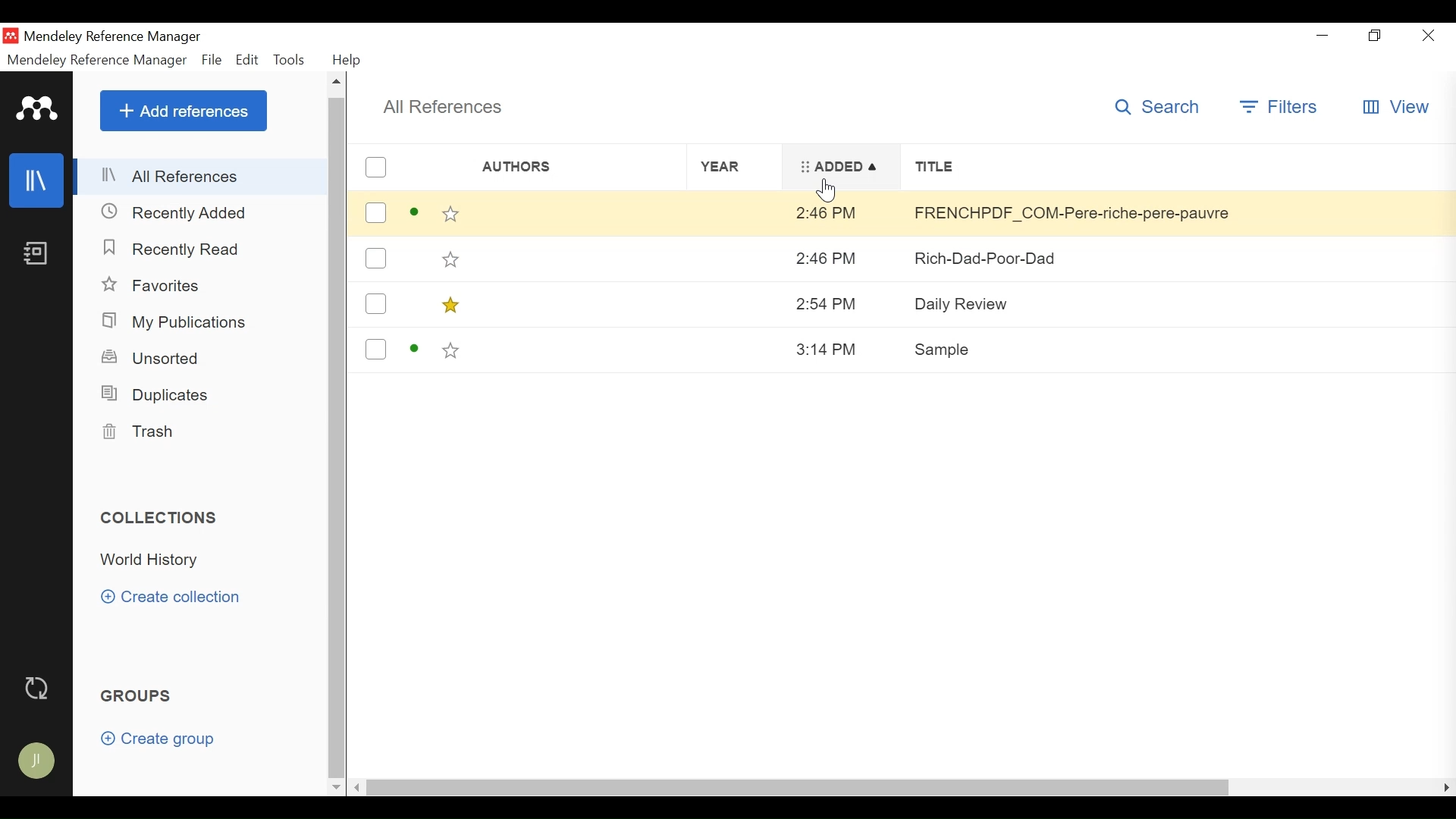 Image resolution: width=1456 pixels, height=819 pixels. What do you see at coordinates (1429, 35) in the screenshot?
I see `Close` at bounding box center [1429, 35].